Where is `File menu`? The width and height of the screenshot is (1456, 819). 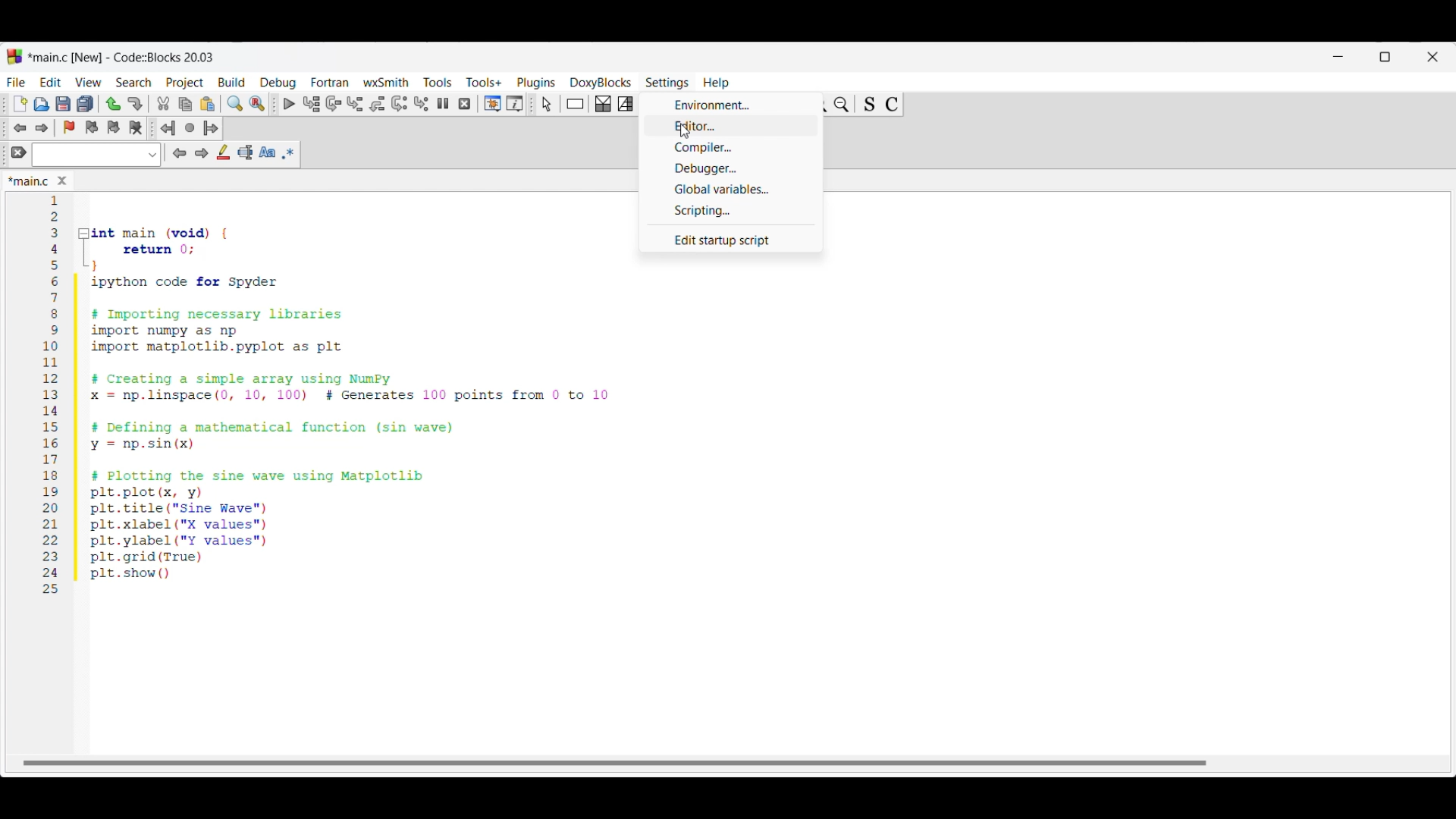 File menu is located at coordinates (16, 82).